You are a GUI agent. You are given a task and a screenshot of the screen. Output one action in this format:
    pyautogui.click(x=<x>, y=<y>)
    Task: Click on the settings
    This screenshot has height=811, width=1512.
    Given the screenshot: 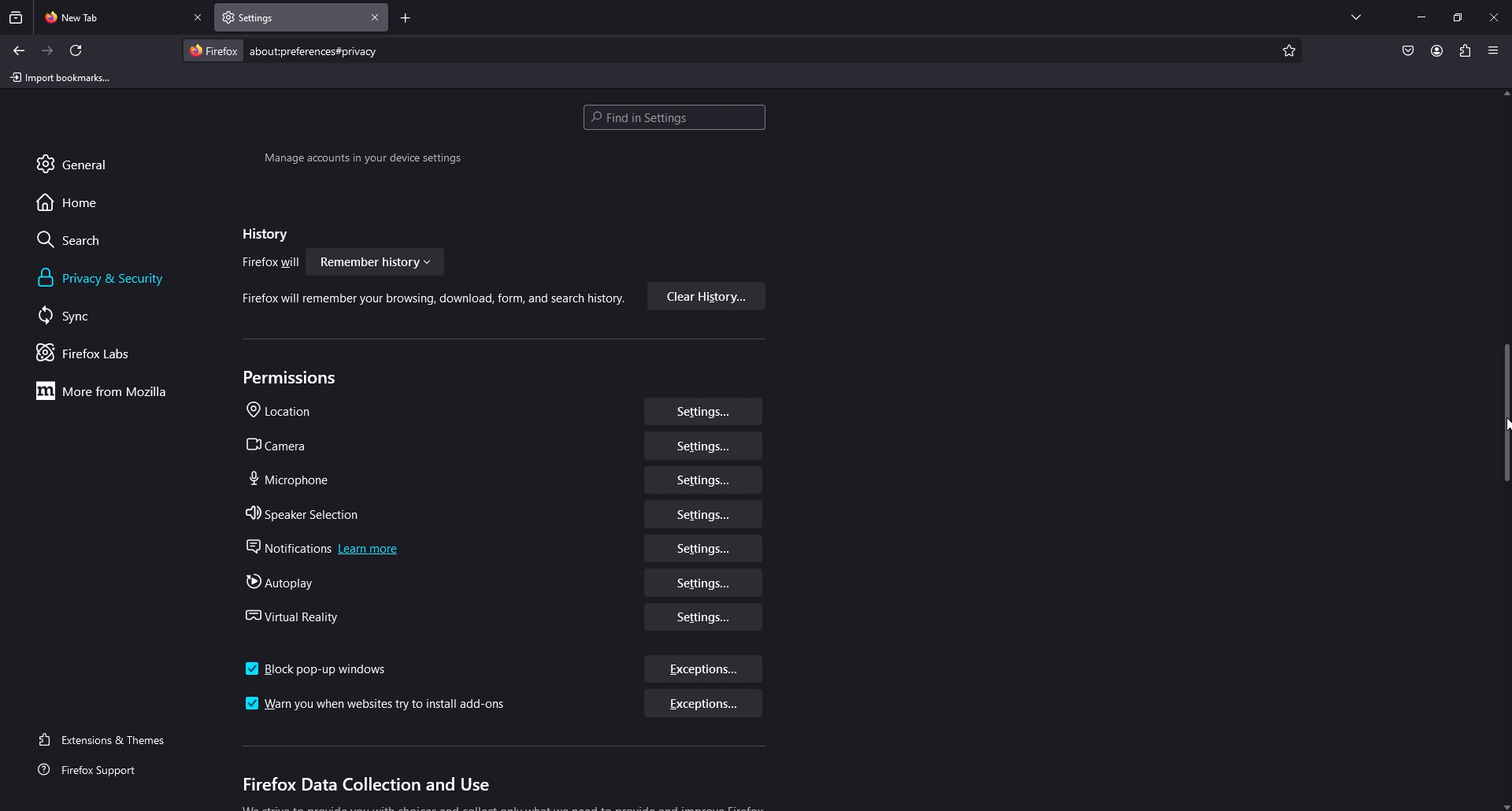 What is the action you would take?
    pyautogui.click(x=706, y=549)
    